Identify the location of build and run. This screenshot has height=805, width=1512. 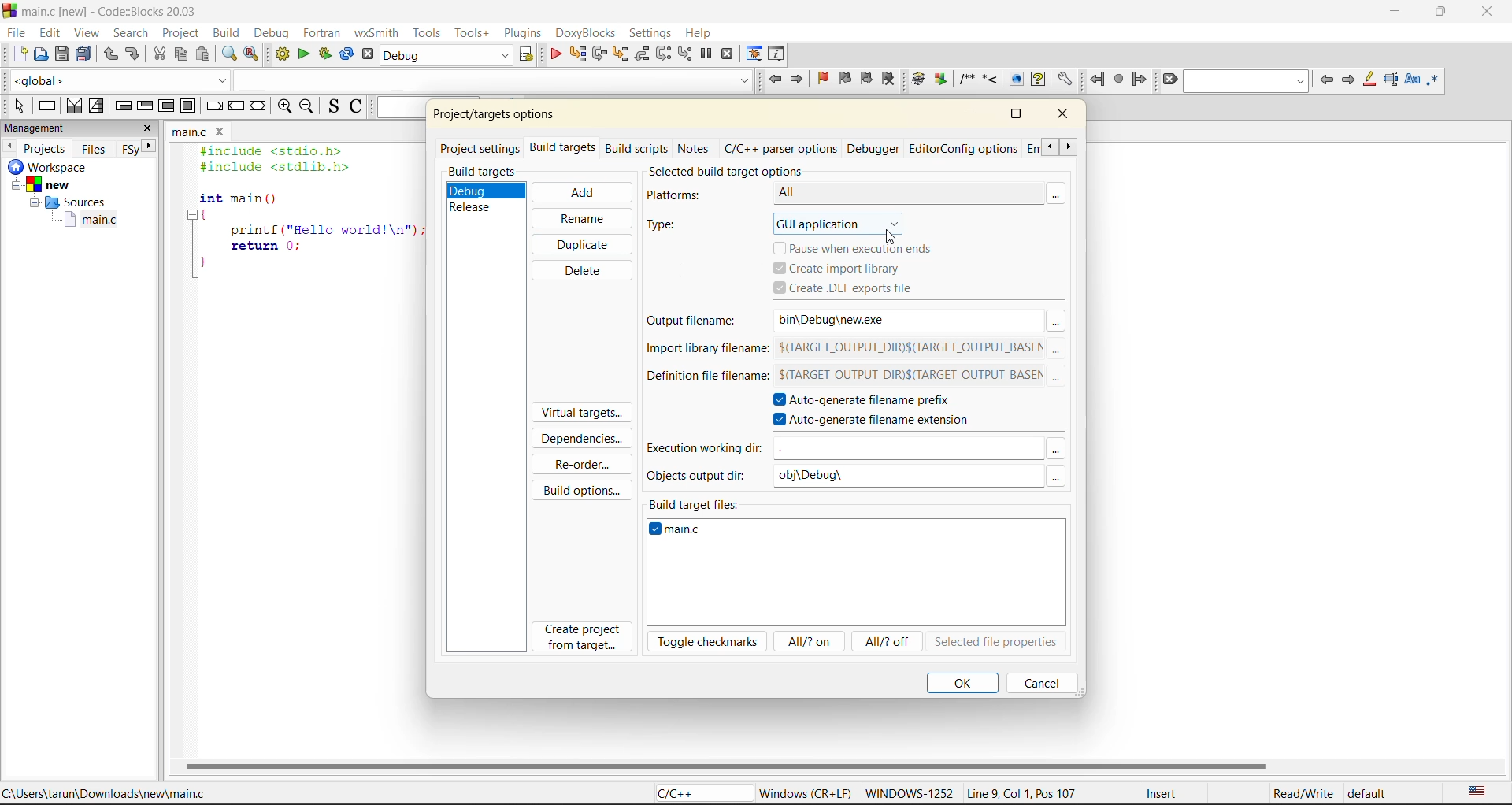
(324, 55).